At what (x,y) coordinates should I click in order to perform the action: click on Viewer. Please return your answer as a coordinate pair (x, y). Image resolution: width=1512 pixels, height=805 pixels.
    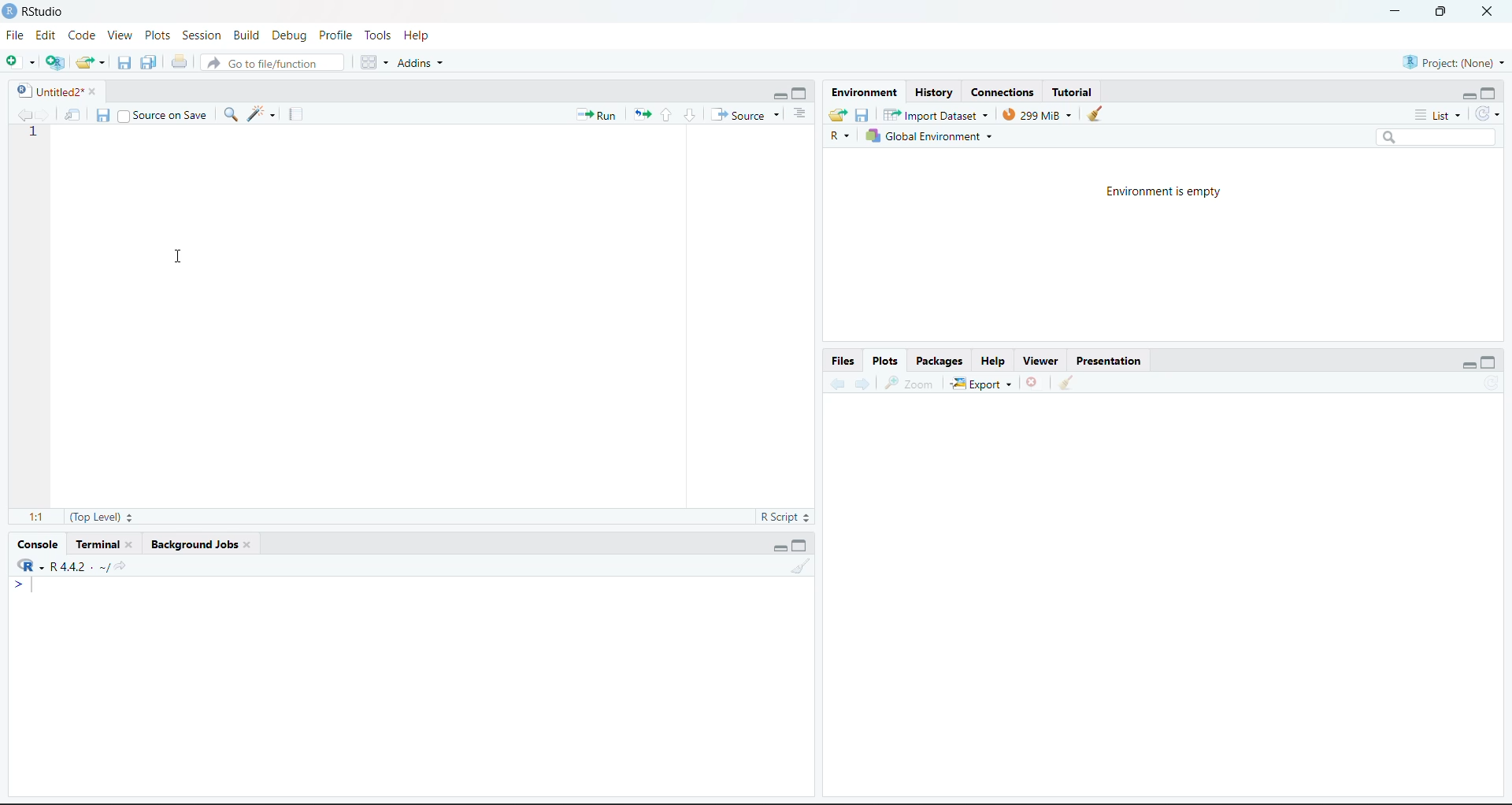
    Looking at the image, I should click on (1043, 359).